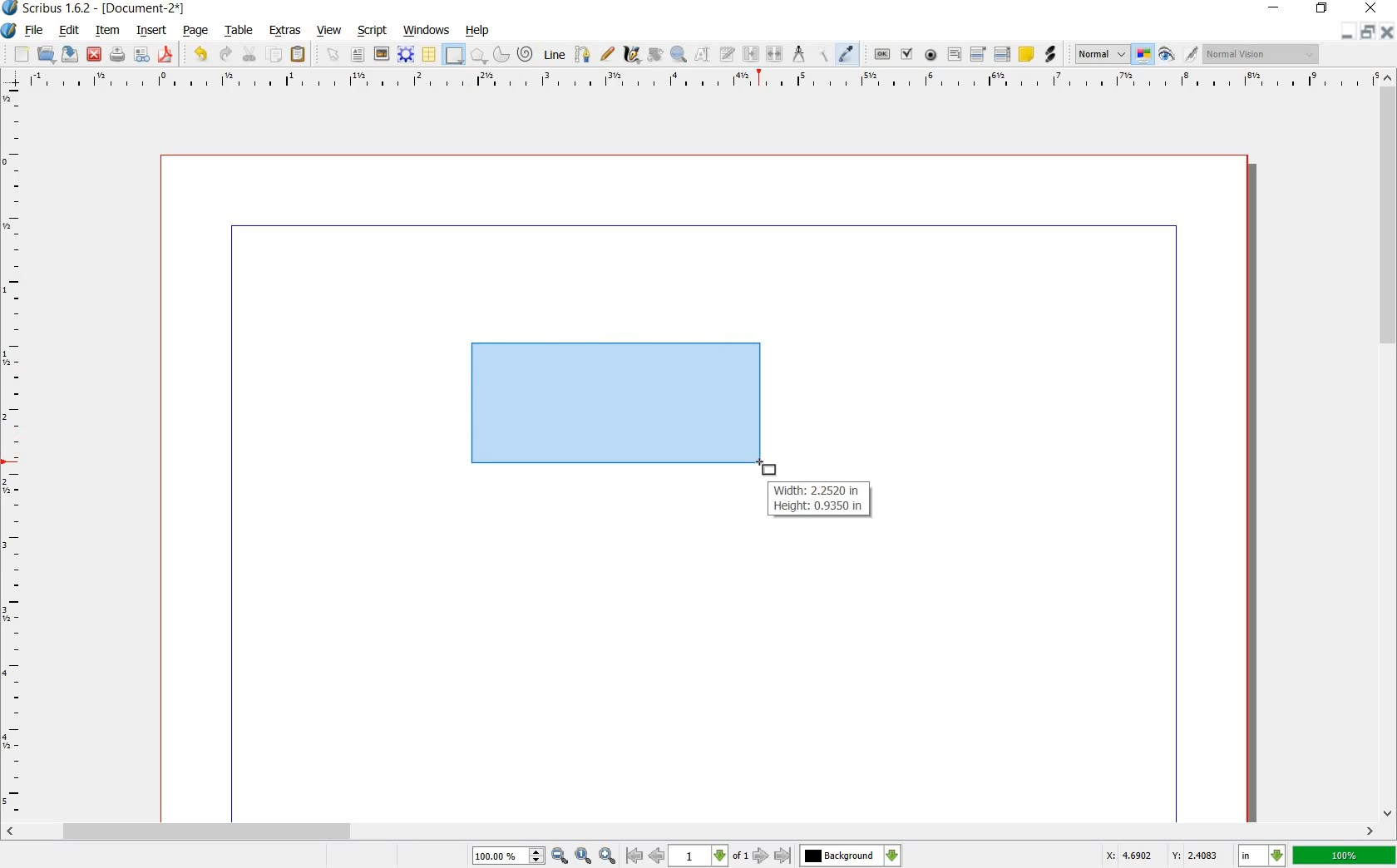 The width and height of the screenshot is (1397, 868). Describe the element at coordinates (68, 54) in the screenshot. I see `SAVE` at that location.